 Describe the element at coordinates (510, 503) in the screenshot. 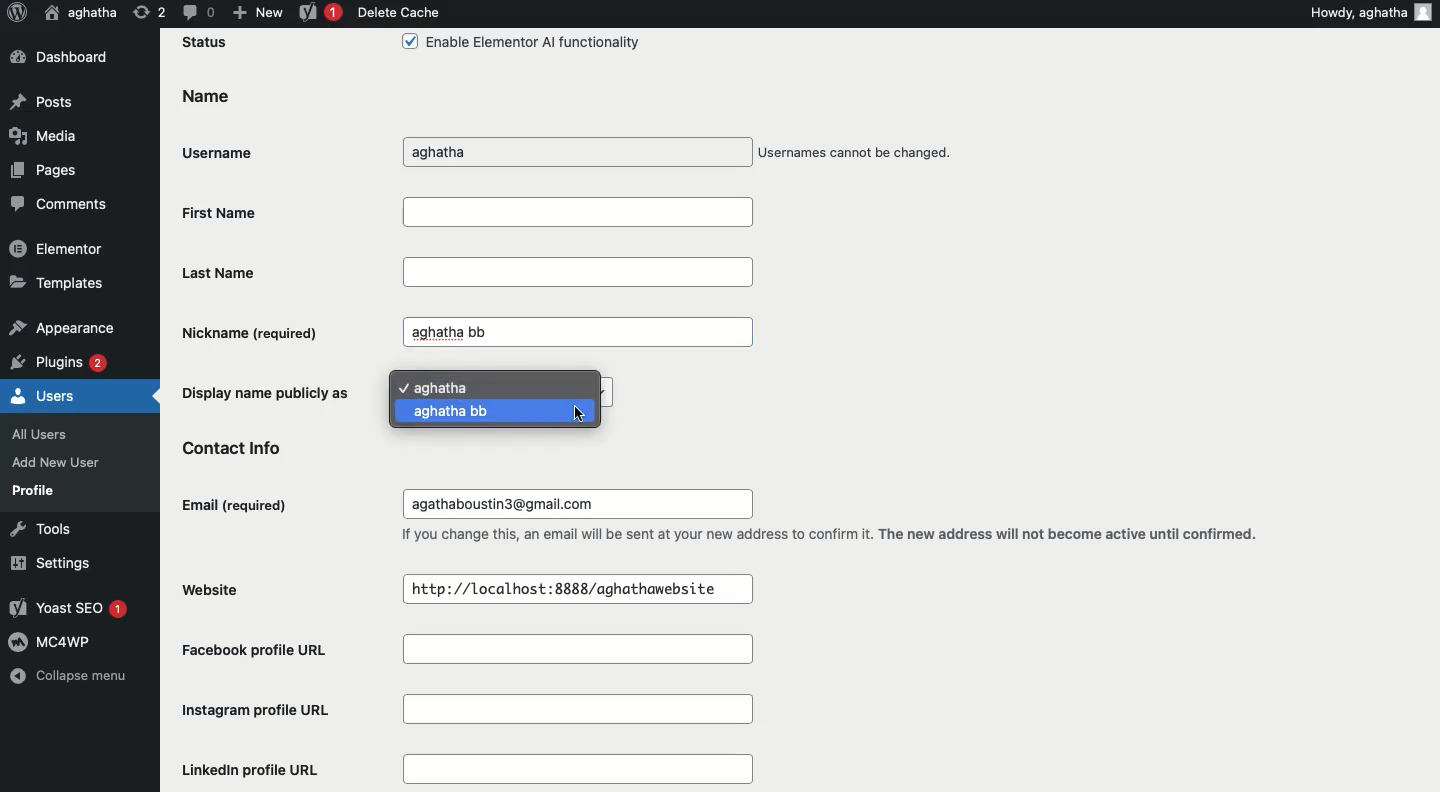

I see `agathaboustin3@gmail.com` at that location.